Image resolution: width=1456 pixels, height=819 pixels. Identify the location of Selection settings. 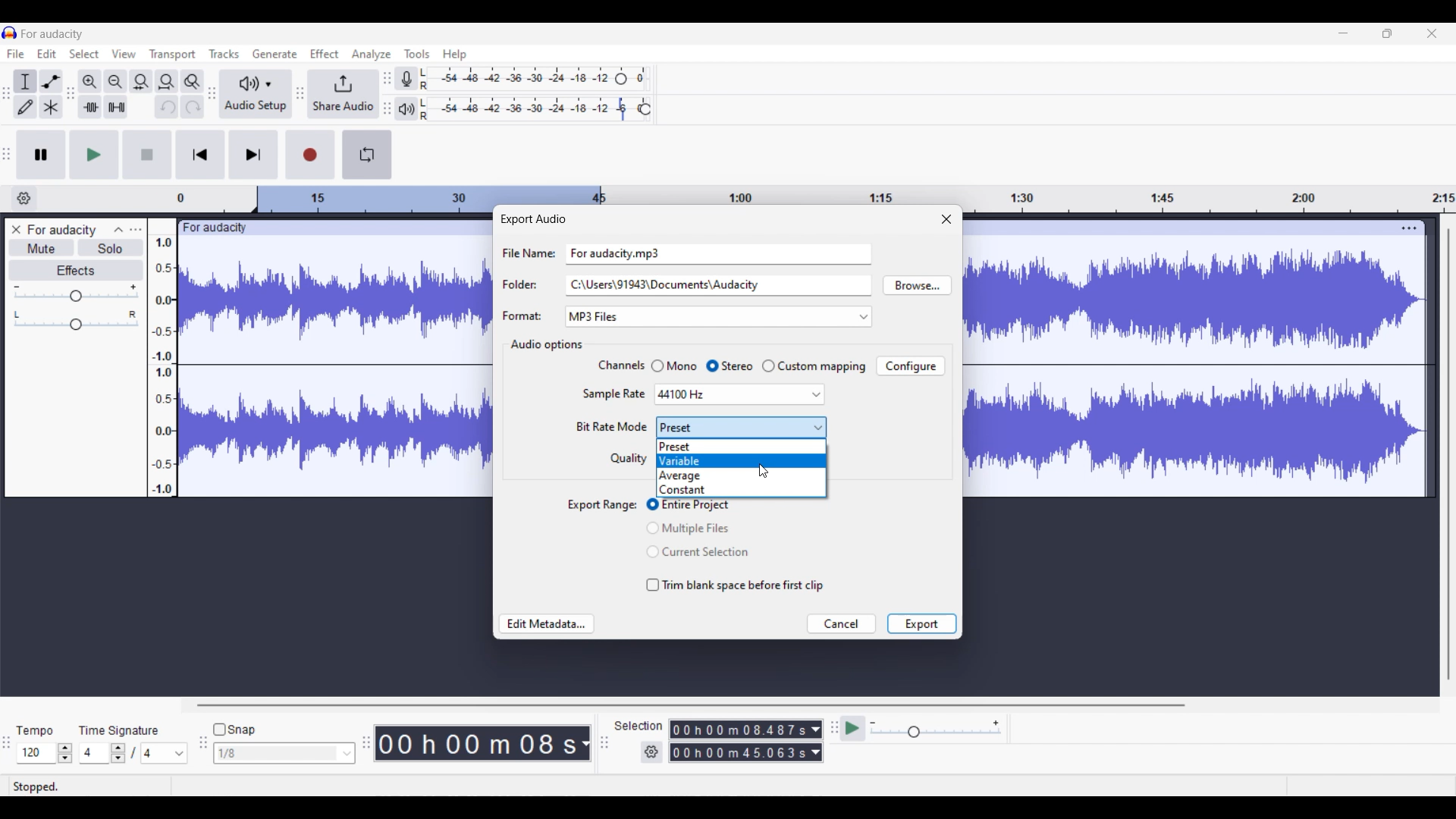
(652, 752).